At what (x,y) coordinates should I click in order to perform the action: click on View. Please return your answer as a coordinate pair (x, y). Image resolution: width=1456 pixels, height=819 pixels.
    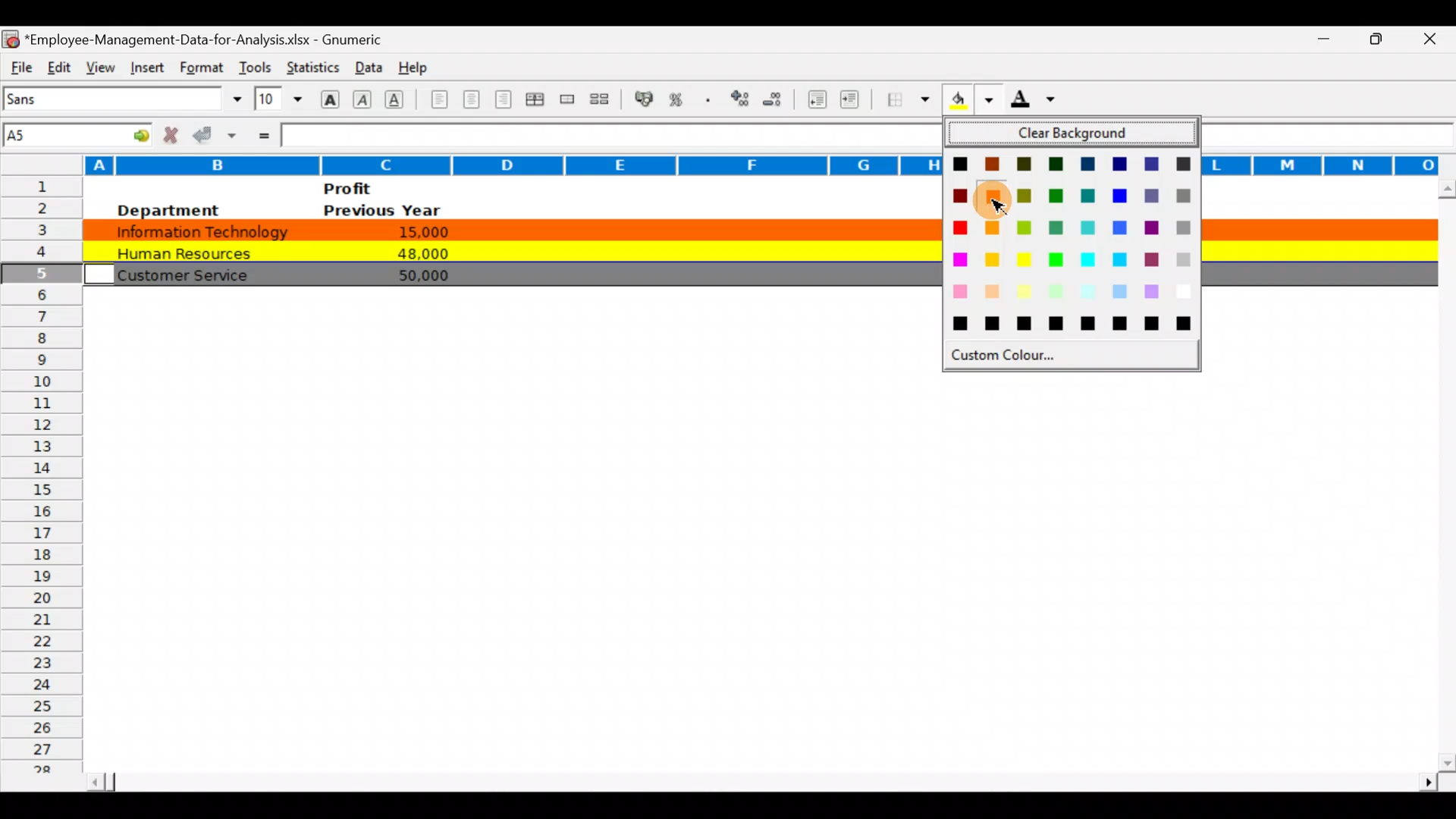
    Looking at the image, I should click on (97, 65).